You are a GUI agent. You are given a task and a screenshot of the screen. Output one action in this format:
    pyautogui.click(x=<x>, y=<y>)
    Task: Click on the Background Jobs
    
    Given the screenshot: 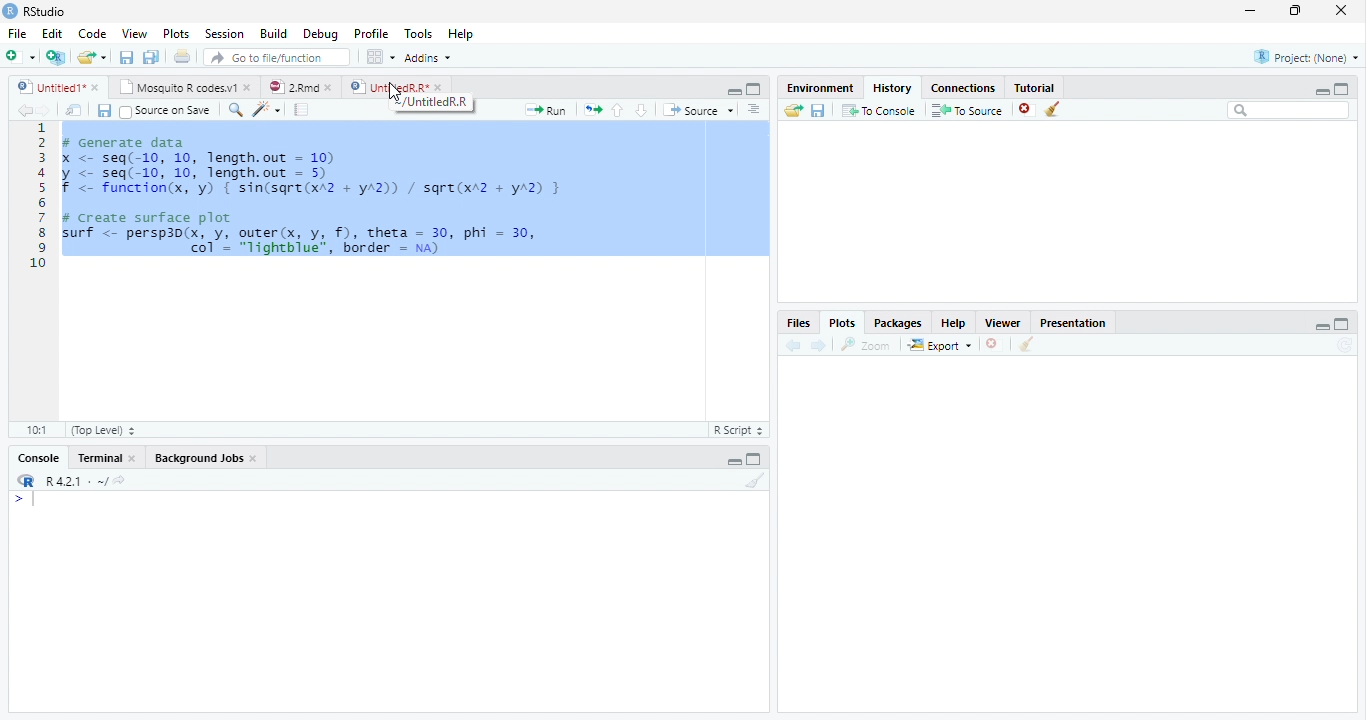 What is the action you would take?
    pyautogui.click(x=199, y=458)
    